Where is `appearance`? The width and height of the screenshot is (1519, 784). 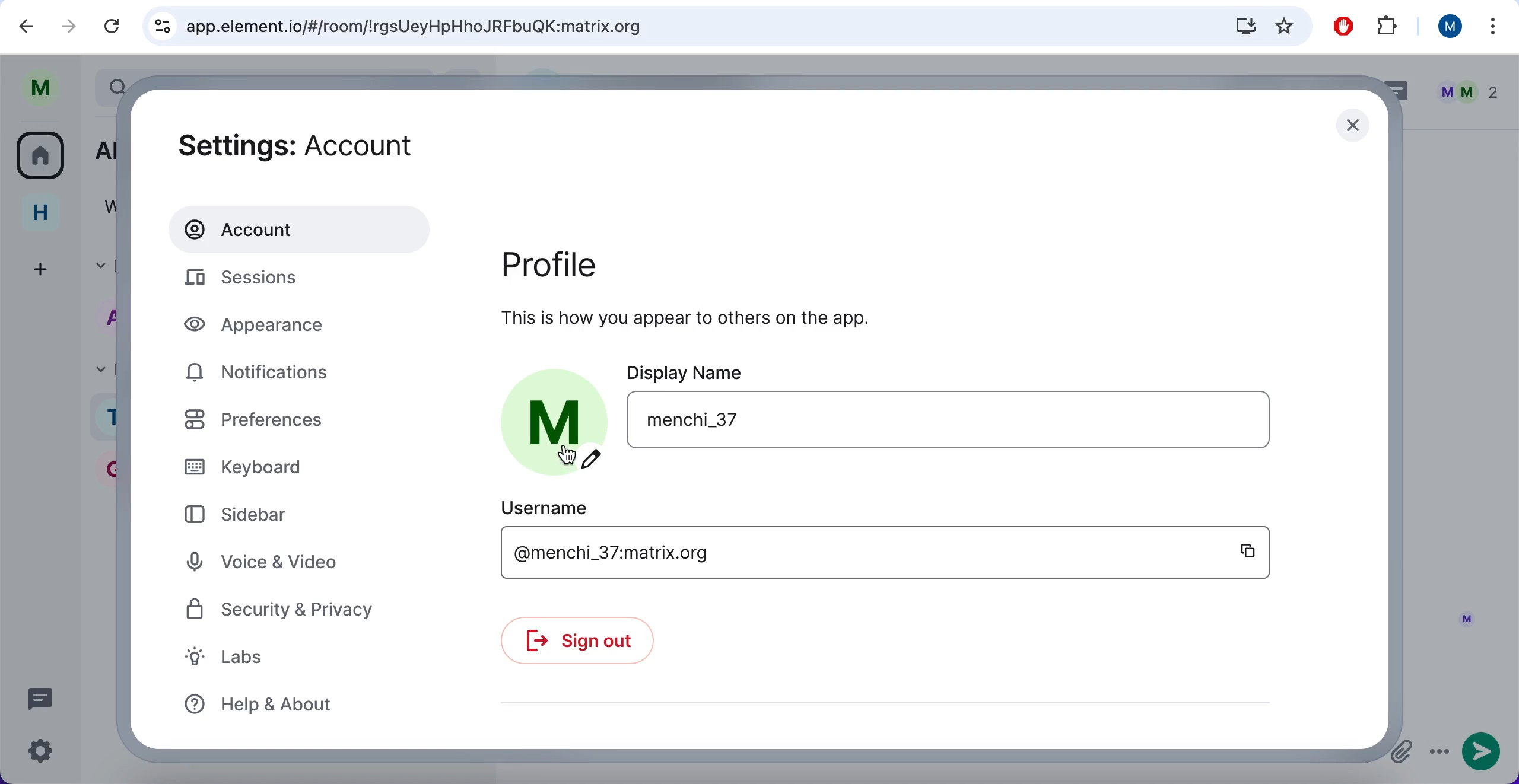 appearance is located at coordinates (281, 328).